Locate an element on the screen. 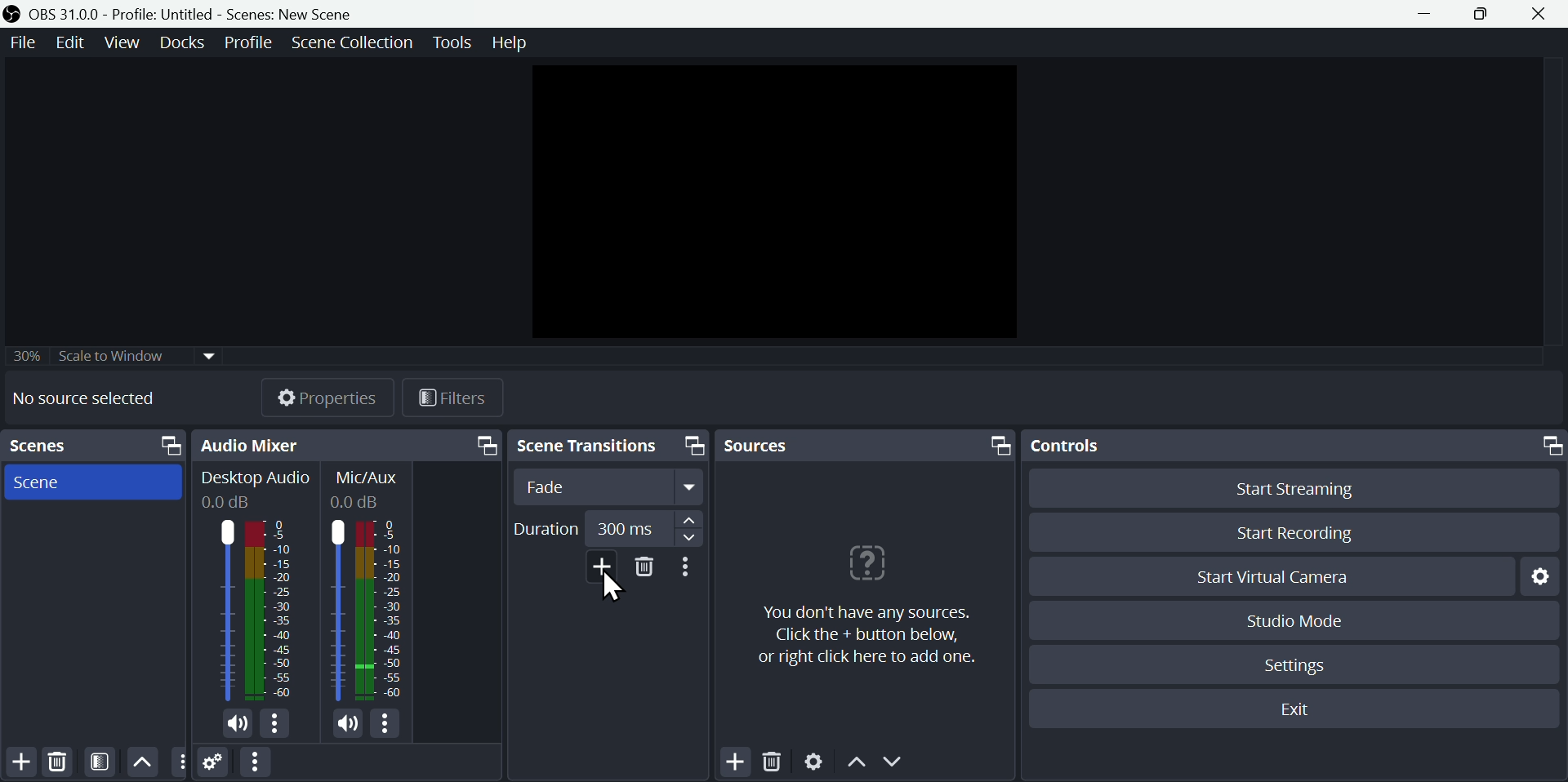 The height and width of the screenshot is (782, 1568). help is located at coordinates (862, 600).